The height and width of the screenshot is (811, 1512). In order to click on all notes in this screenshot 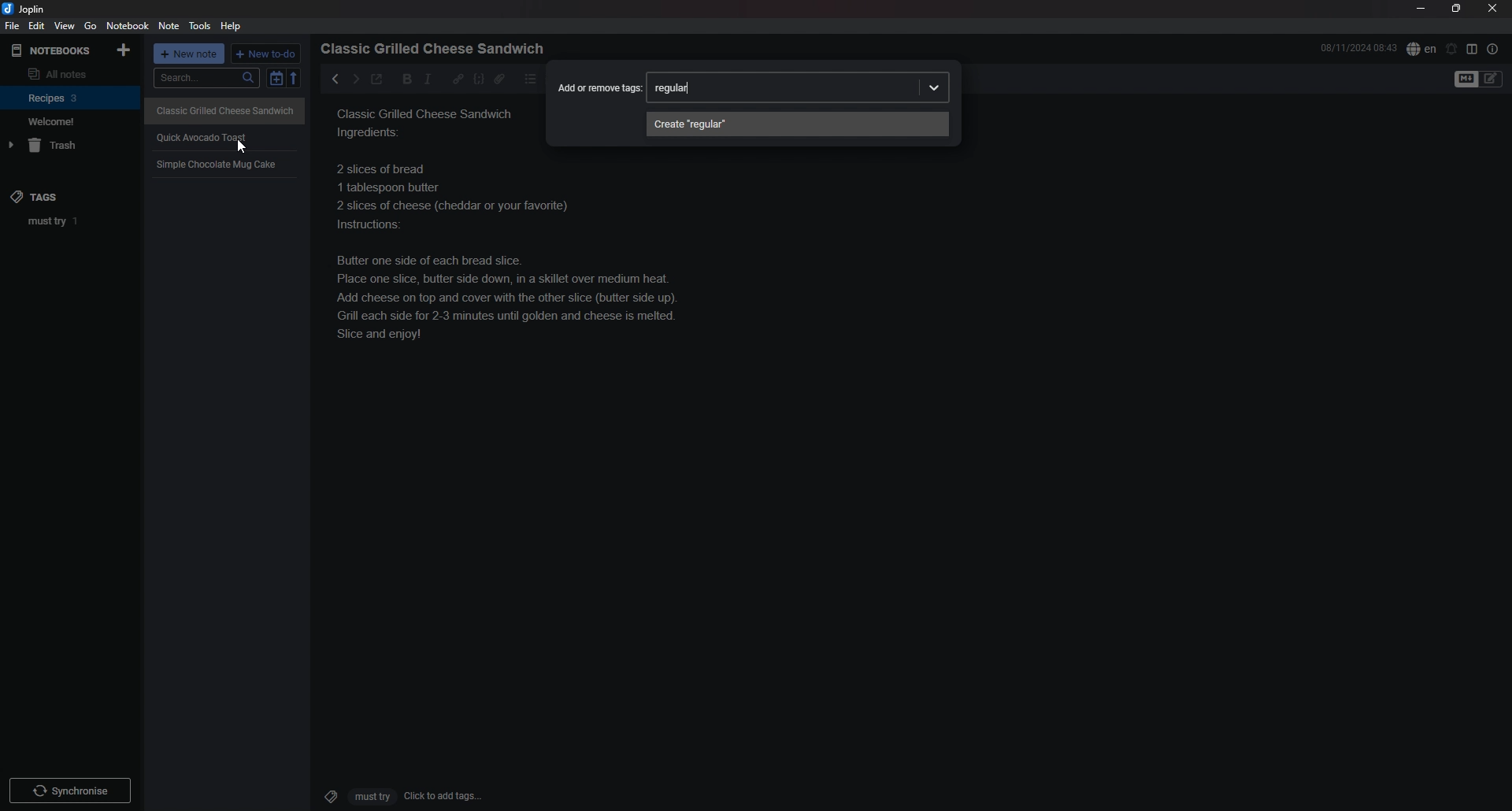, I will do `click(68, 73)`.